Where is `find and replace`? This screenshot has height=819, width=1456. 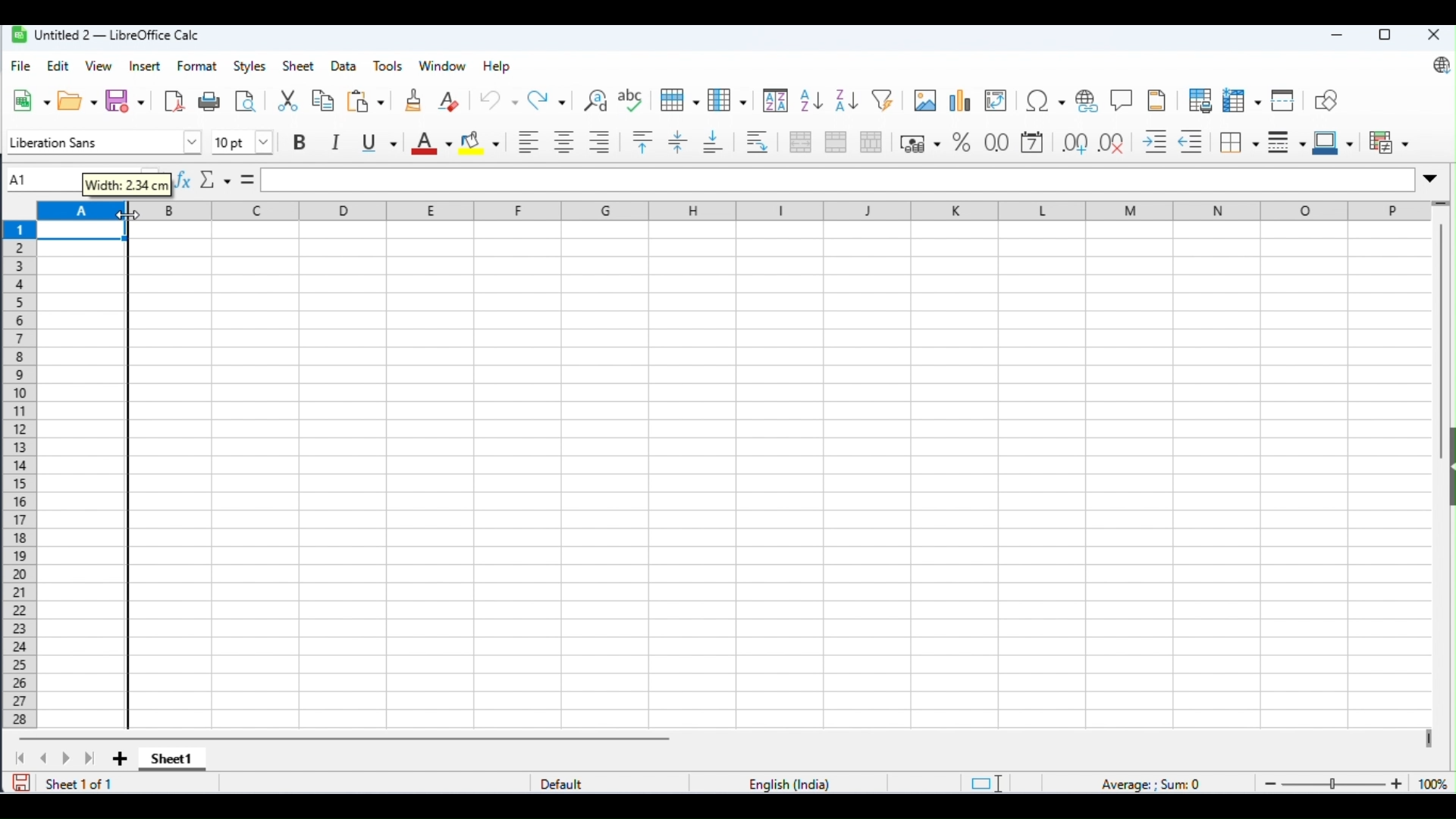
find and replace is located at coordinates (597, 99).